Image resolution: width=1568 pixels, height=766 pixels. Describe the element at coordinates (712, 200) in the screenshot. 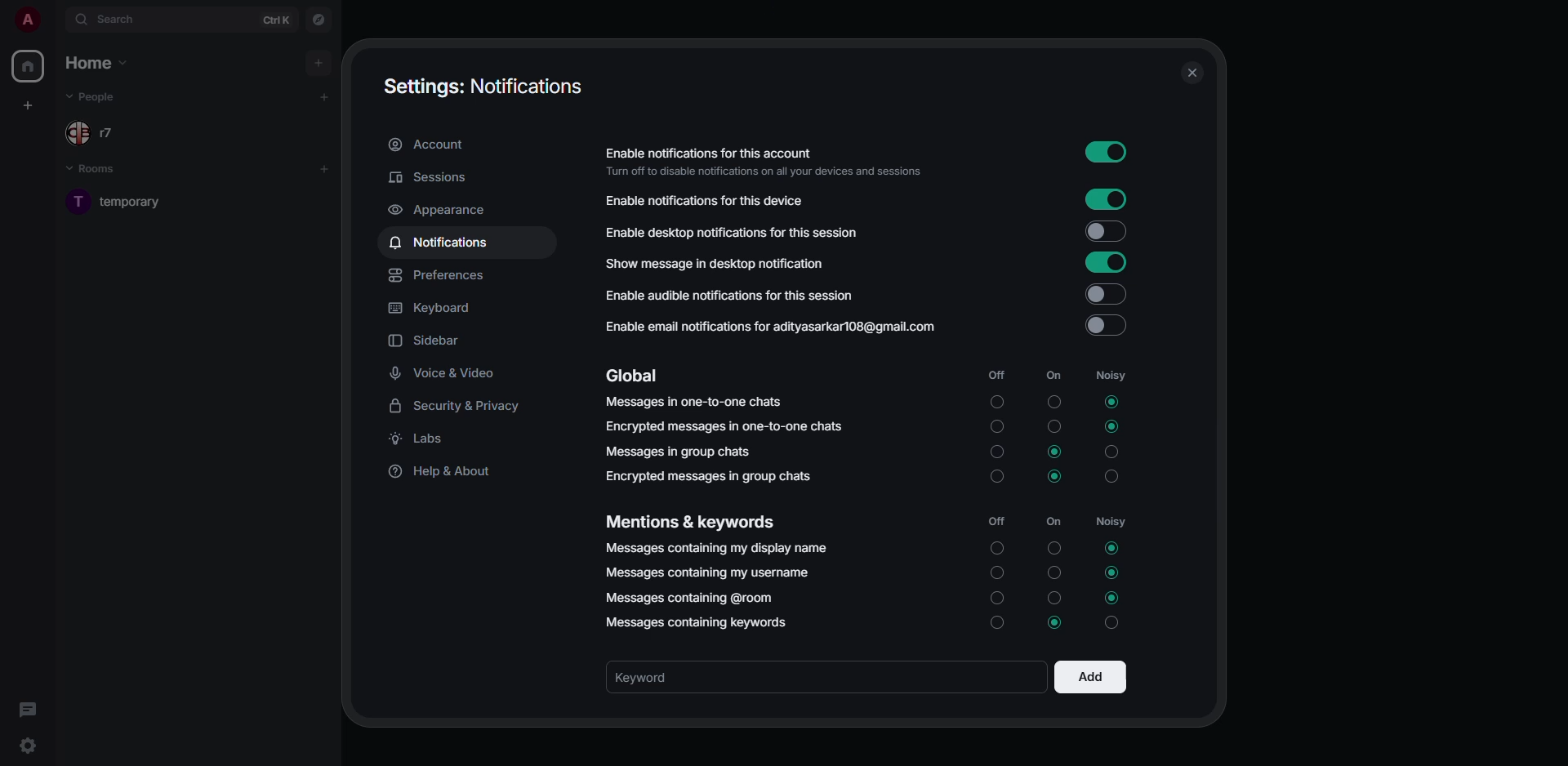

I see `enable notifications for this device` at that location.